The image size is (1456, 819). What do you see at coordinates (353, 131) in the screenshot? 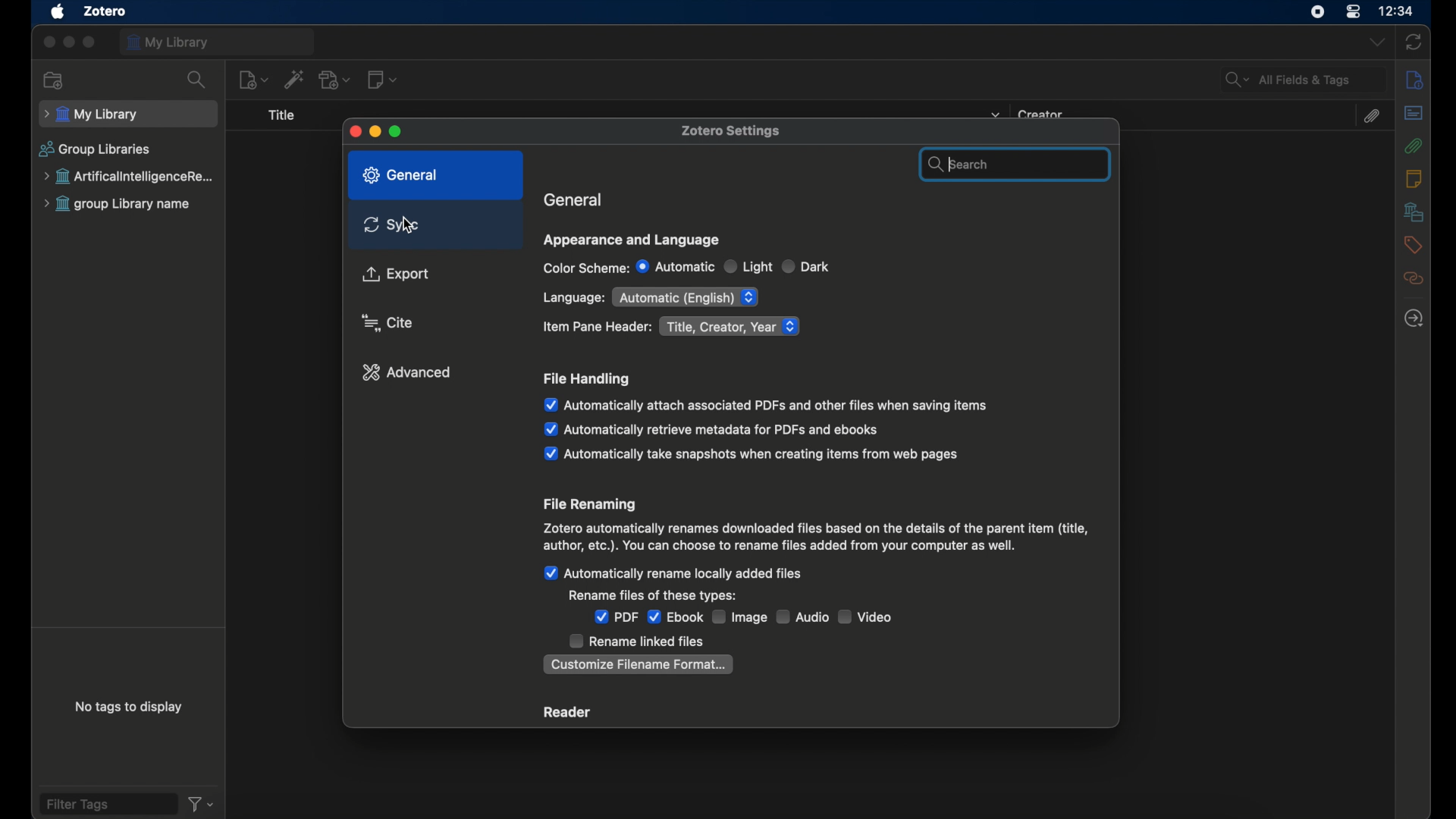
I see `close` at bounding box center [353, 131].